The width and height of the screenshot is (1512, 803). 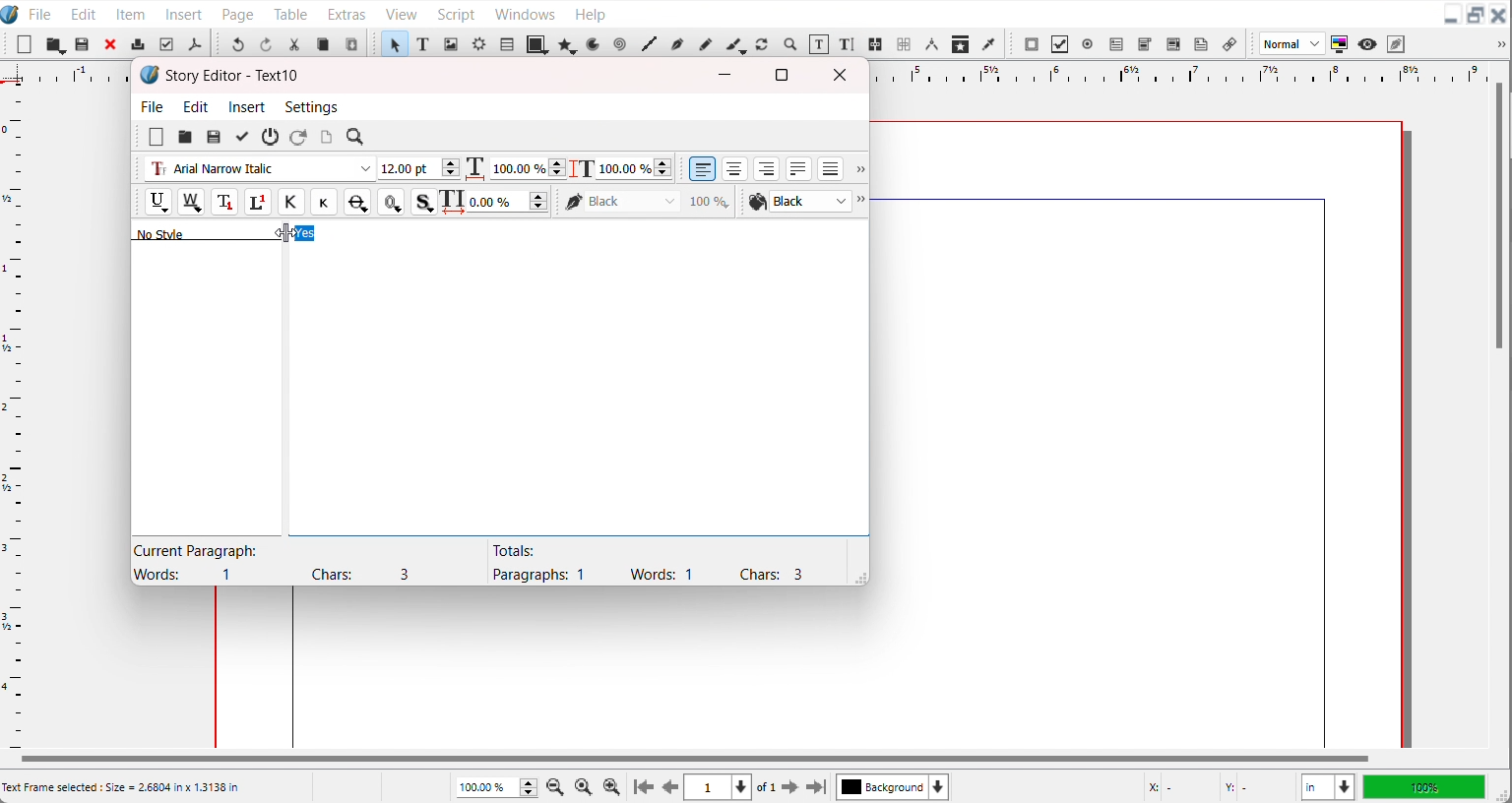 I want to click on Print, so click(x=139, y=43).